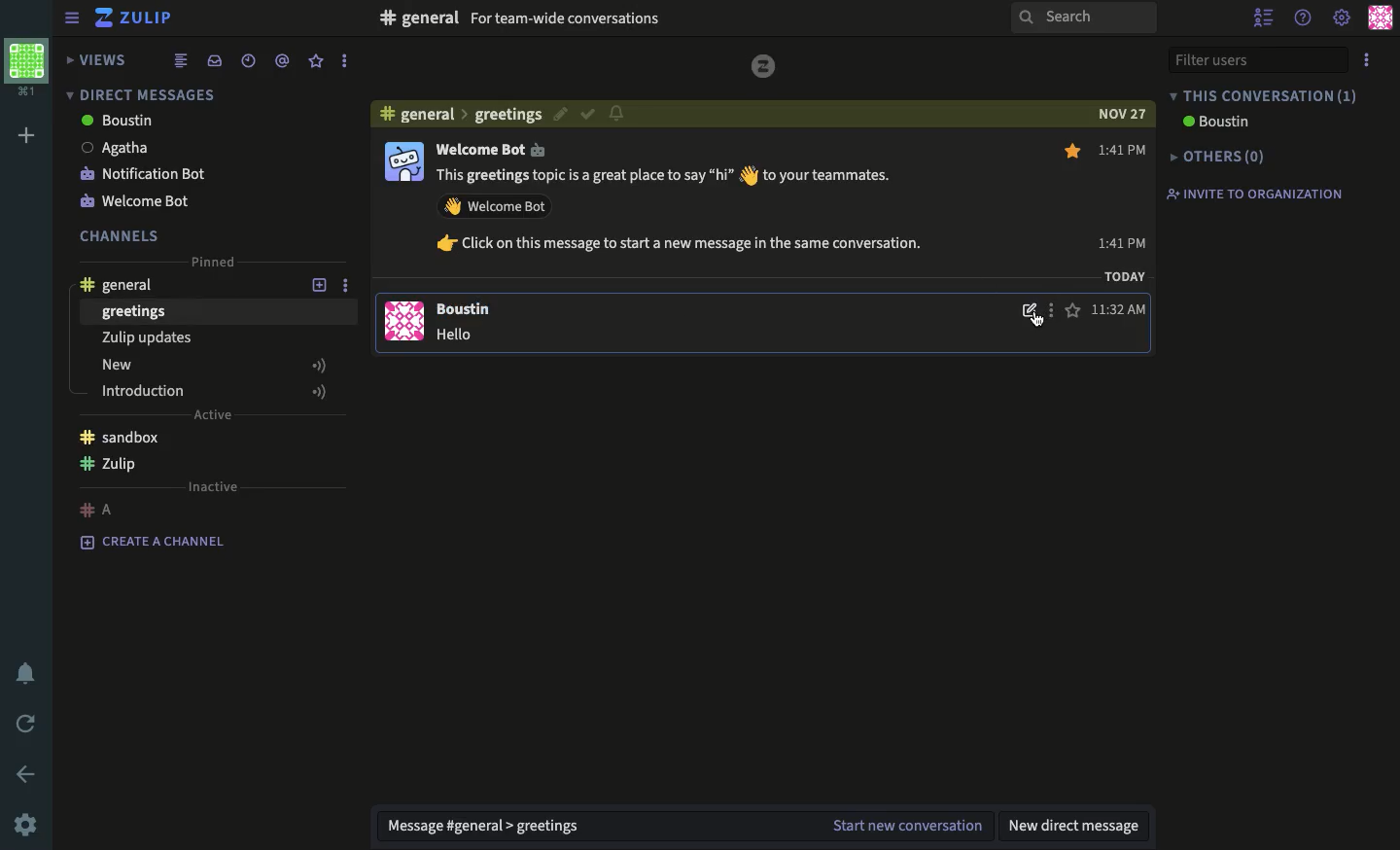 This screenshot has height=850, width=1400. I want to click on Zulip, so click(136, 20).